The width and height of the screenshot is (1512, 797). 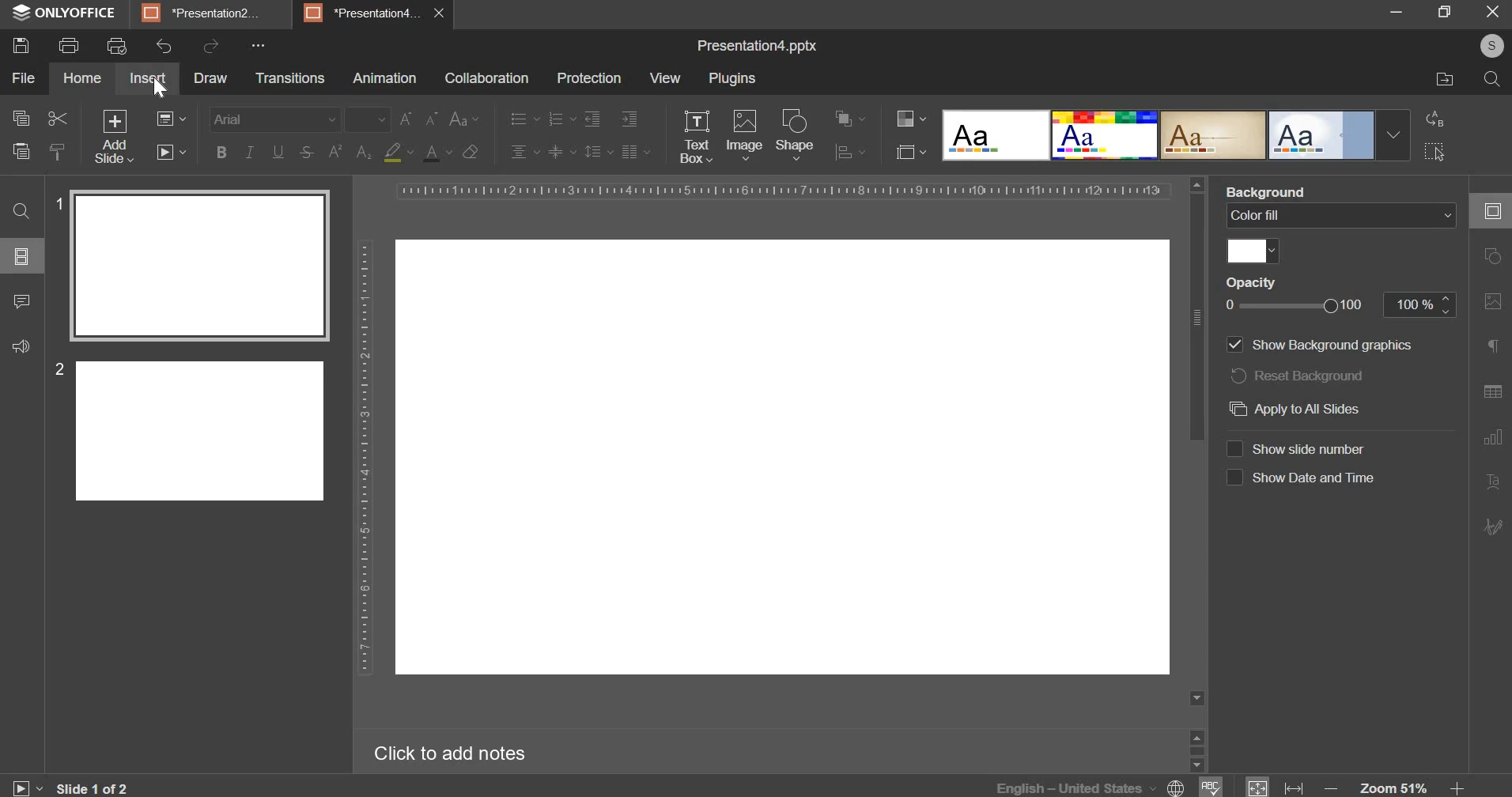 I want to click on print, so click(x=69, y=44).